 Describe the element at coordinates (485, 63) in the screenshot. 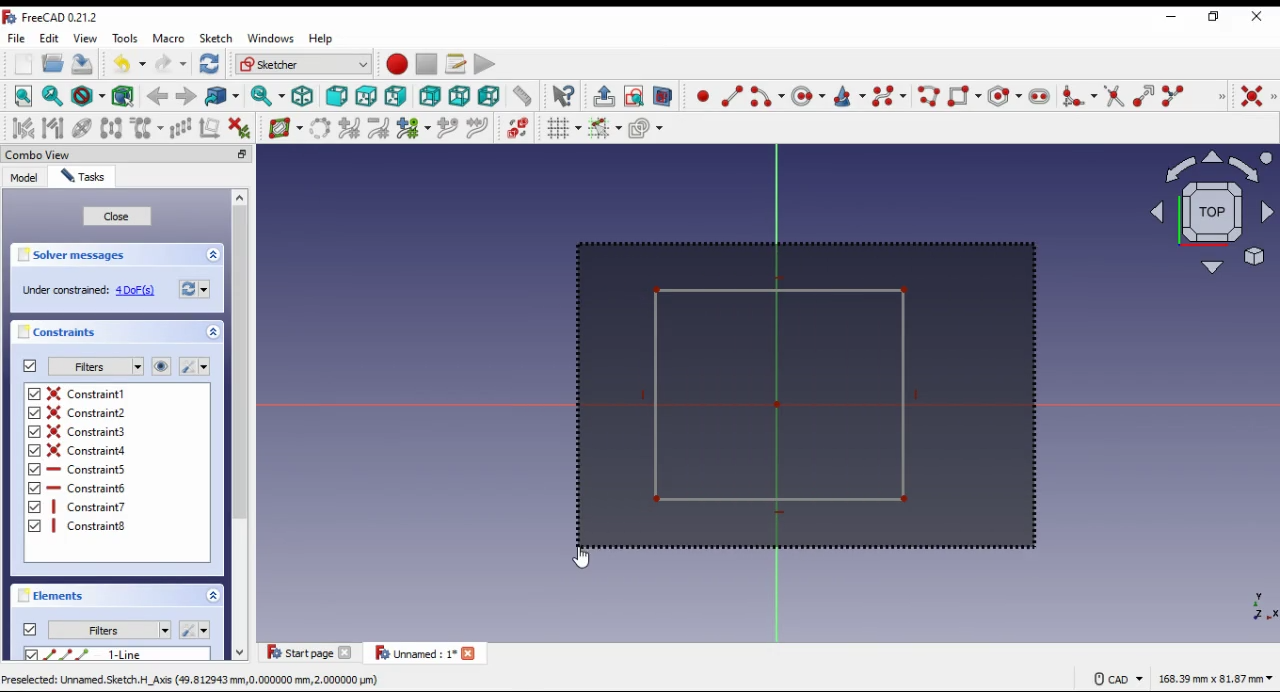

I see `execute macro` at that location.